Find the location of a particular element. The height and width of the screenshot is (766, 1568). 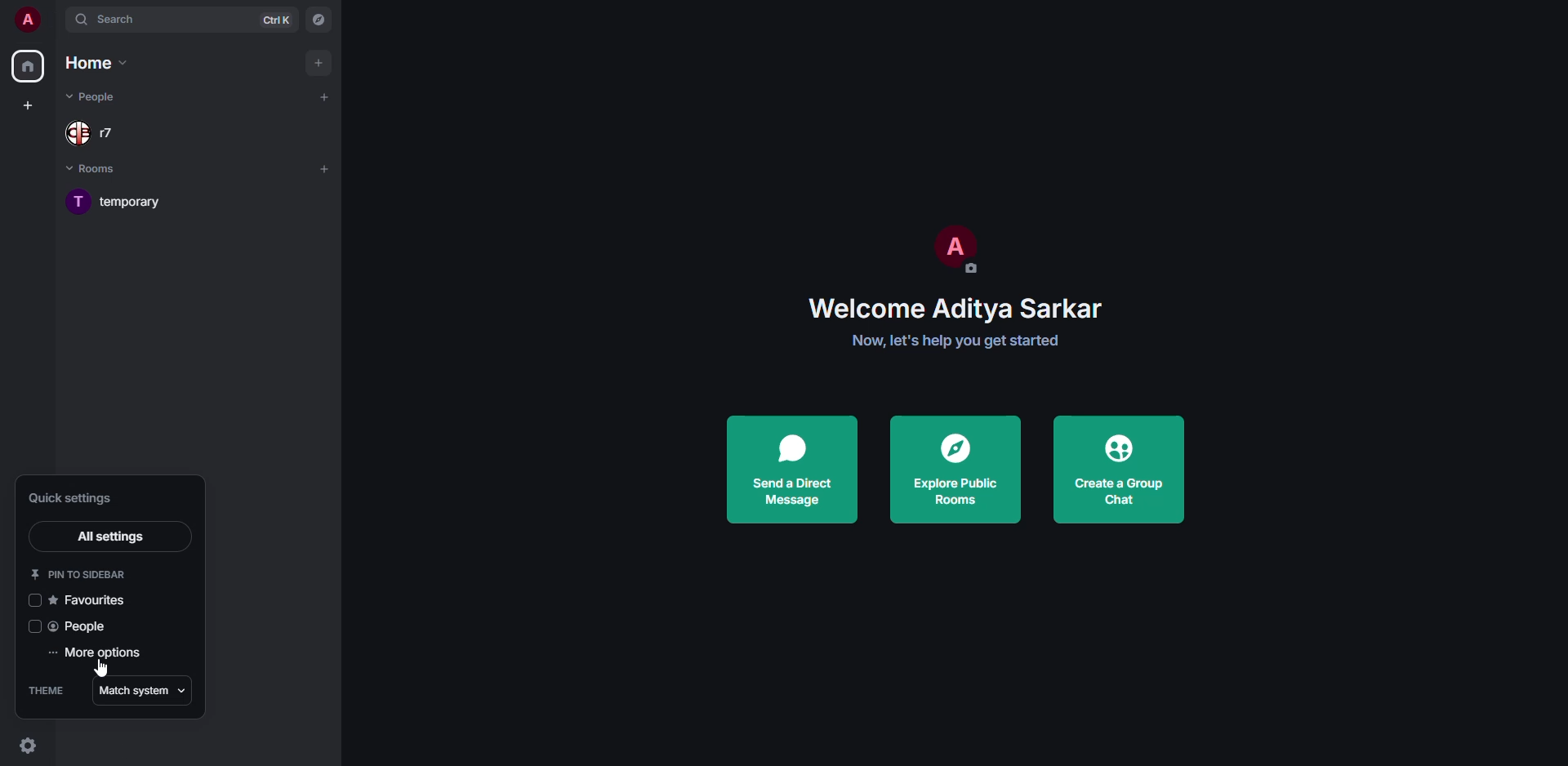

create a group chat is located at coordinates (1119, 470).